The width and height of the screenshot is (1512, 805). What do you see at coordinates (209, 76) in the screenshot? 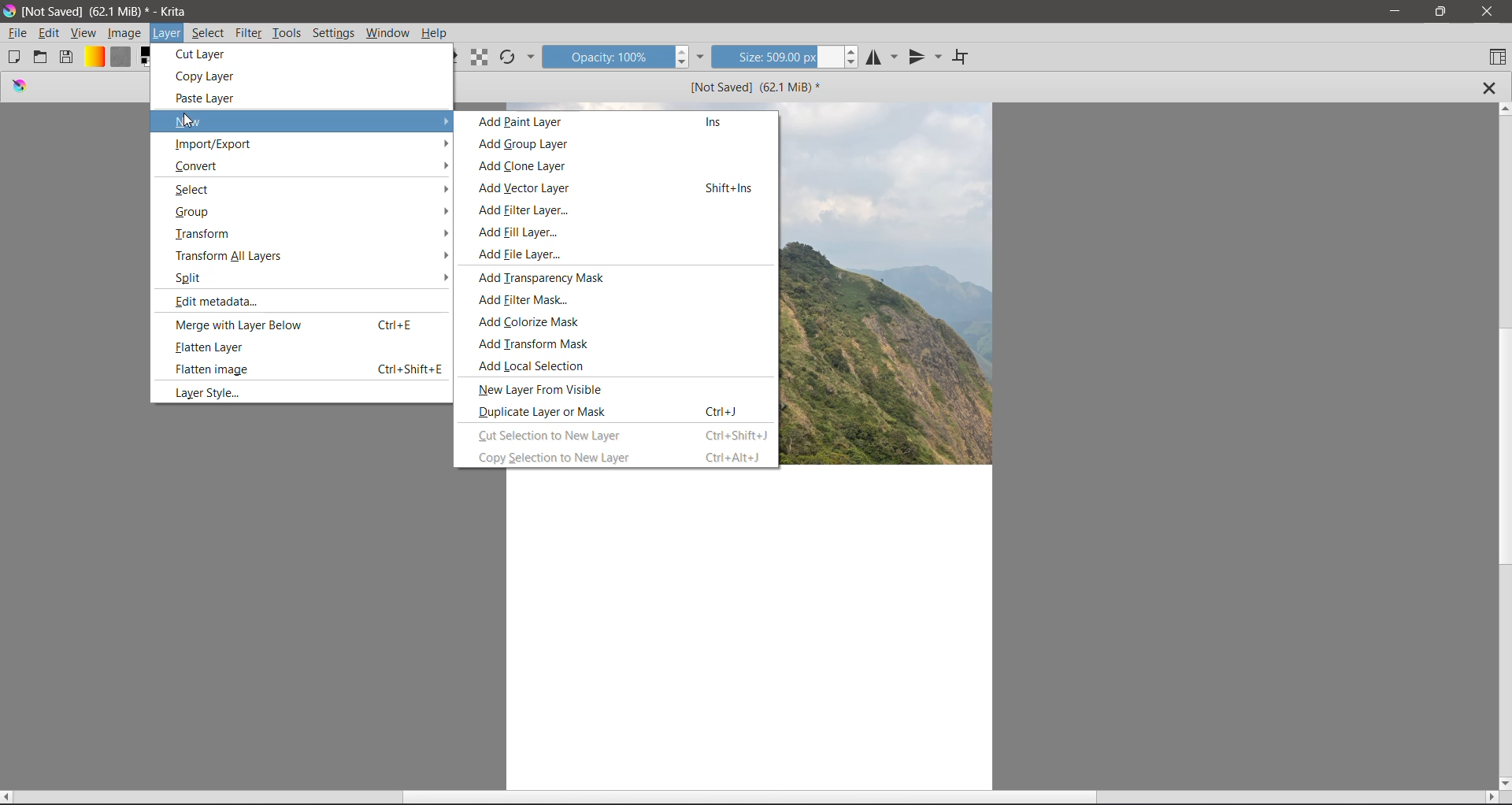
I see `Copy Layer` at bounding box center [209, 76].